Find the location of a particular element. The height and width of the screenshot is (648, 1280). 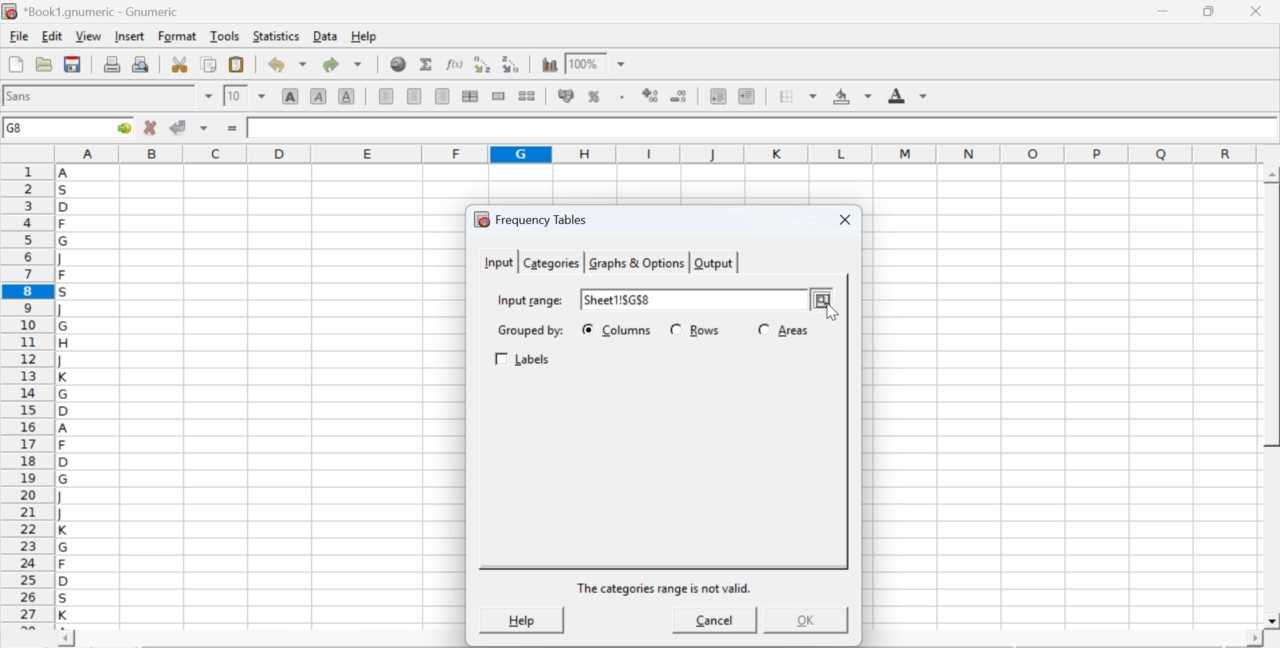

file is located at coordinates (18, 37).